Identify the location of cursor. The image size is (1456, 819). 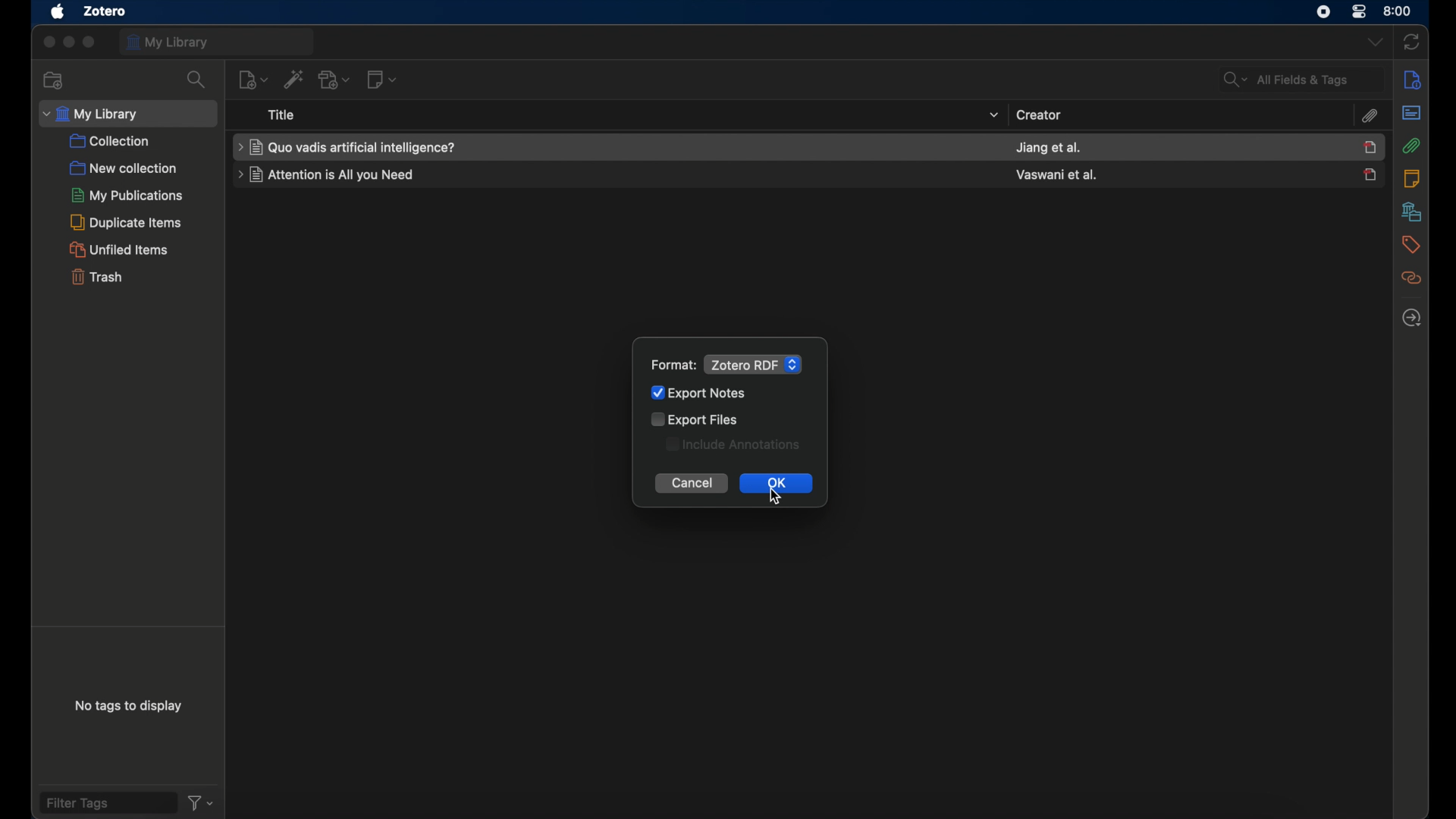
(779, 500).